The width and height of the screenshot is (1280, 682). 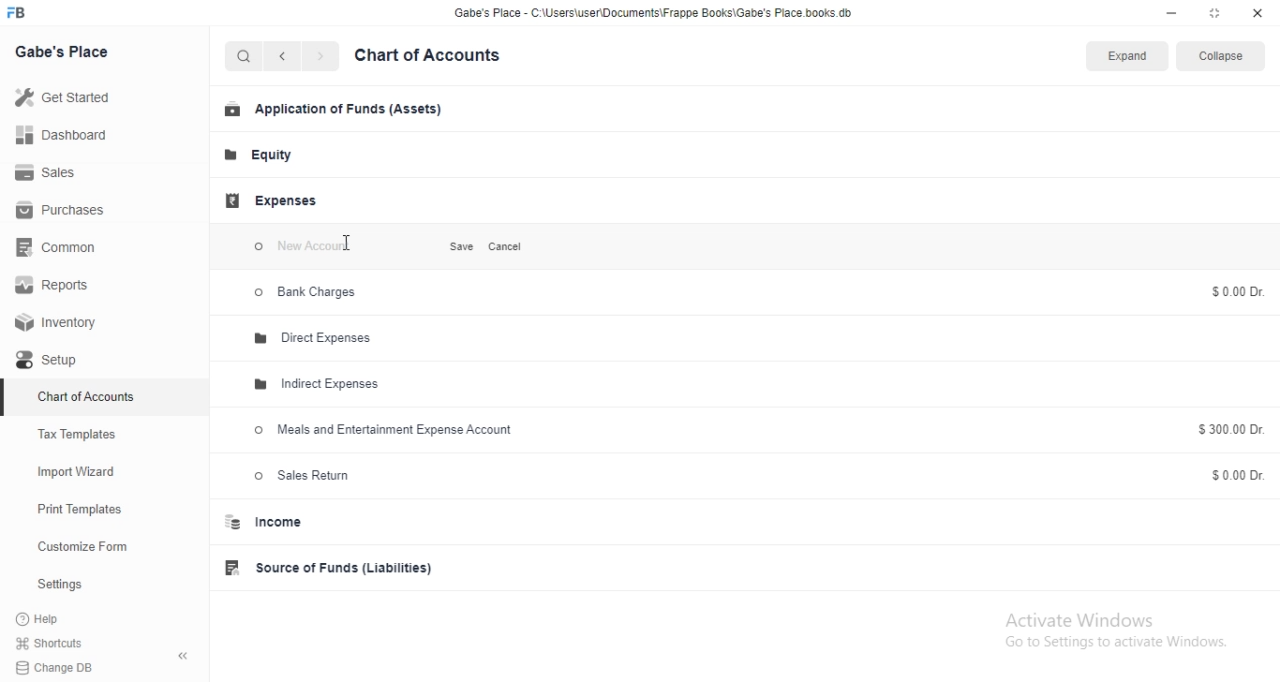 What do you see at coordinates (1169, 14) in the screenshot?
I see `minimize` at bounding box center [1169, 14].